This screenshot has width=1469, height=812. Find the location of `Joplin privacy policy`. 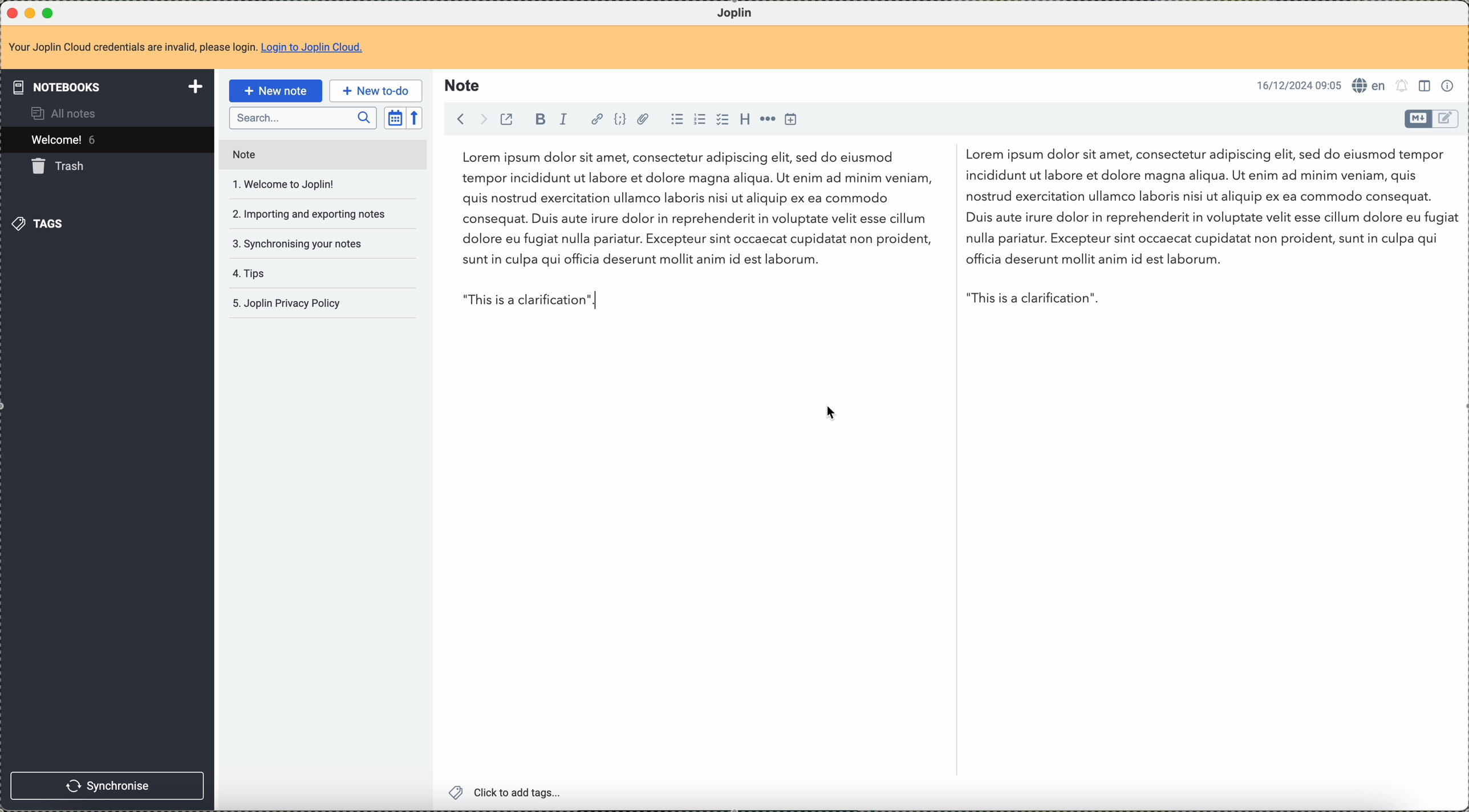

Joplin privacy policy is located at coordinates (288, 302).